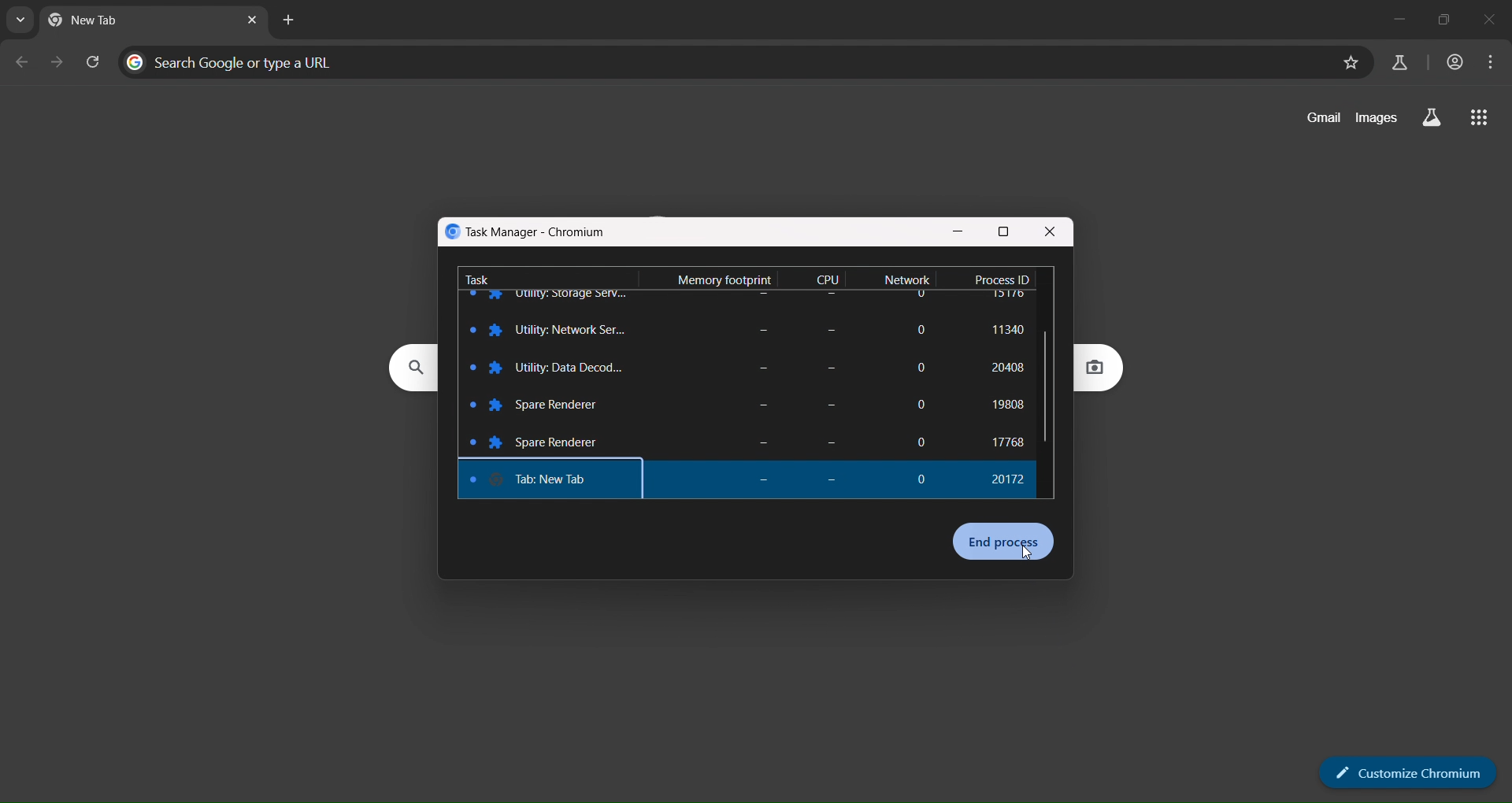  Describe the element at coordinates (1007, 333) in the screenshot. I see `15176 ` at that location.